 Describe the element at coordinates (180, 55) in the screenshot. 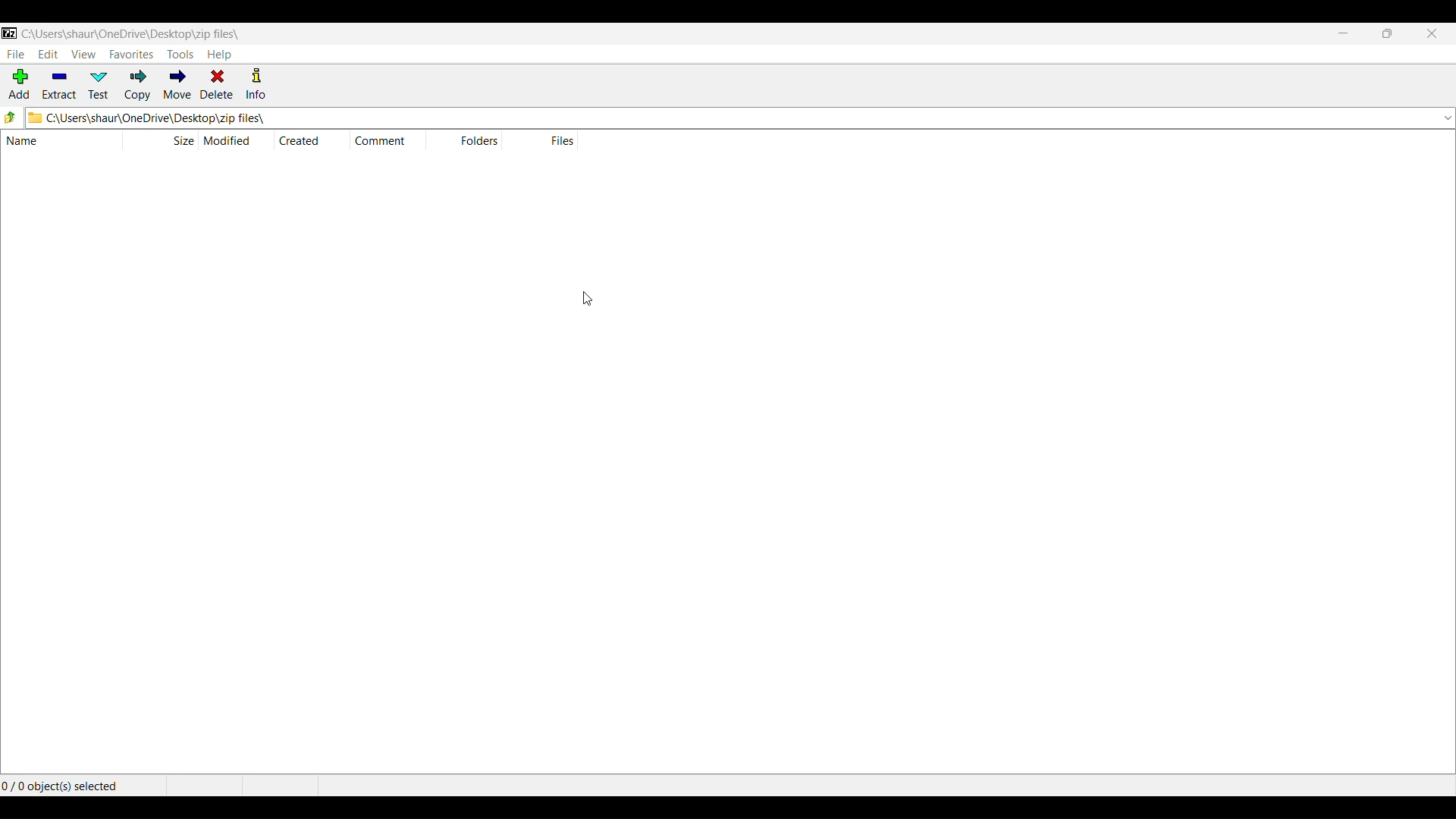

I see `TOOLS` at that location.